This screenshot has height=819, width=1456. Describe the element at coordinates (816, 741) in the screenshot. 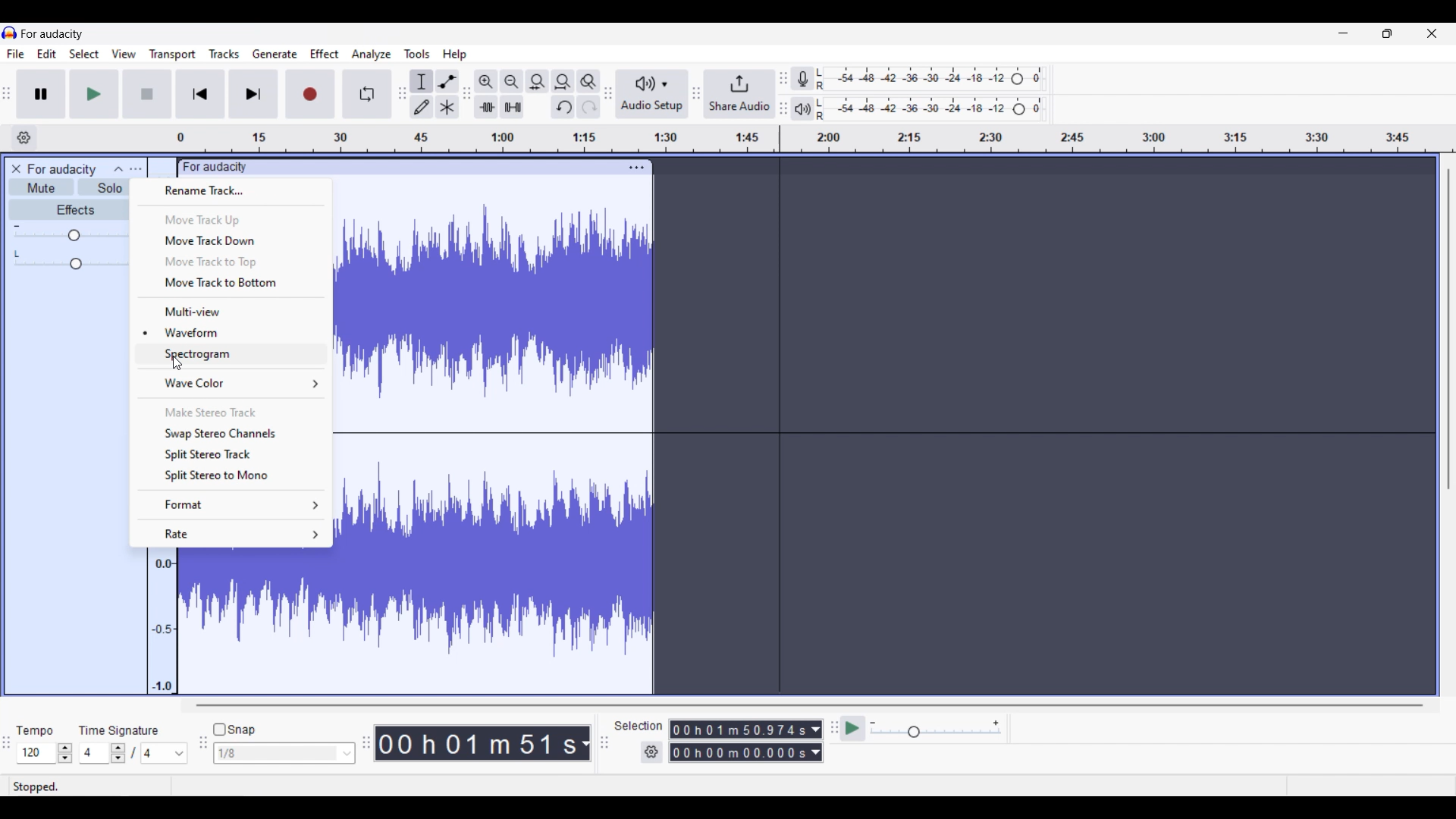

I see `Duration measurement options` at that location.